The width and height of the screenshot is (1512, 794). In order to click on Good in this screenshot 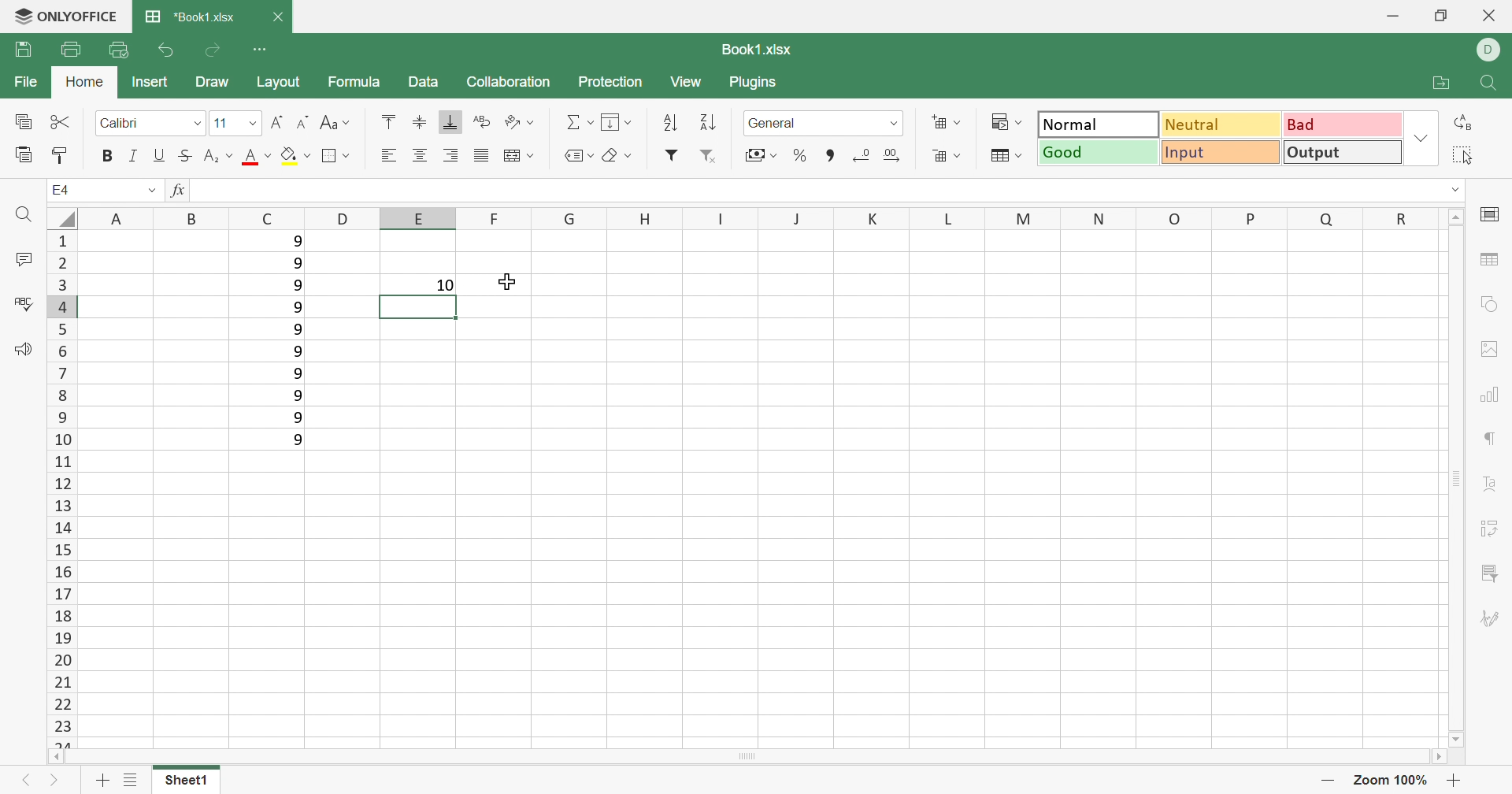, I will do `click(1100, 154)`.